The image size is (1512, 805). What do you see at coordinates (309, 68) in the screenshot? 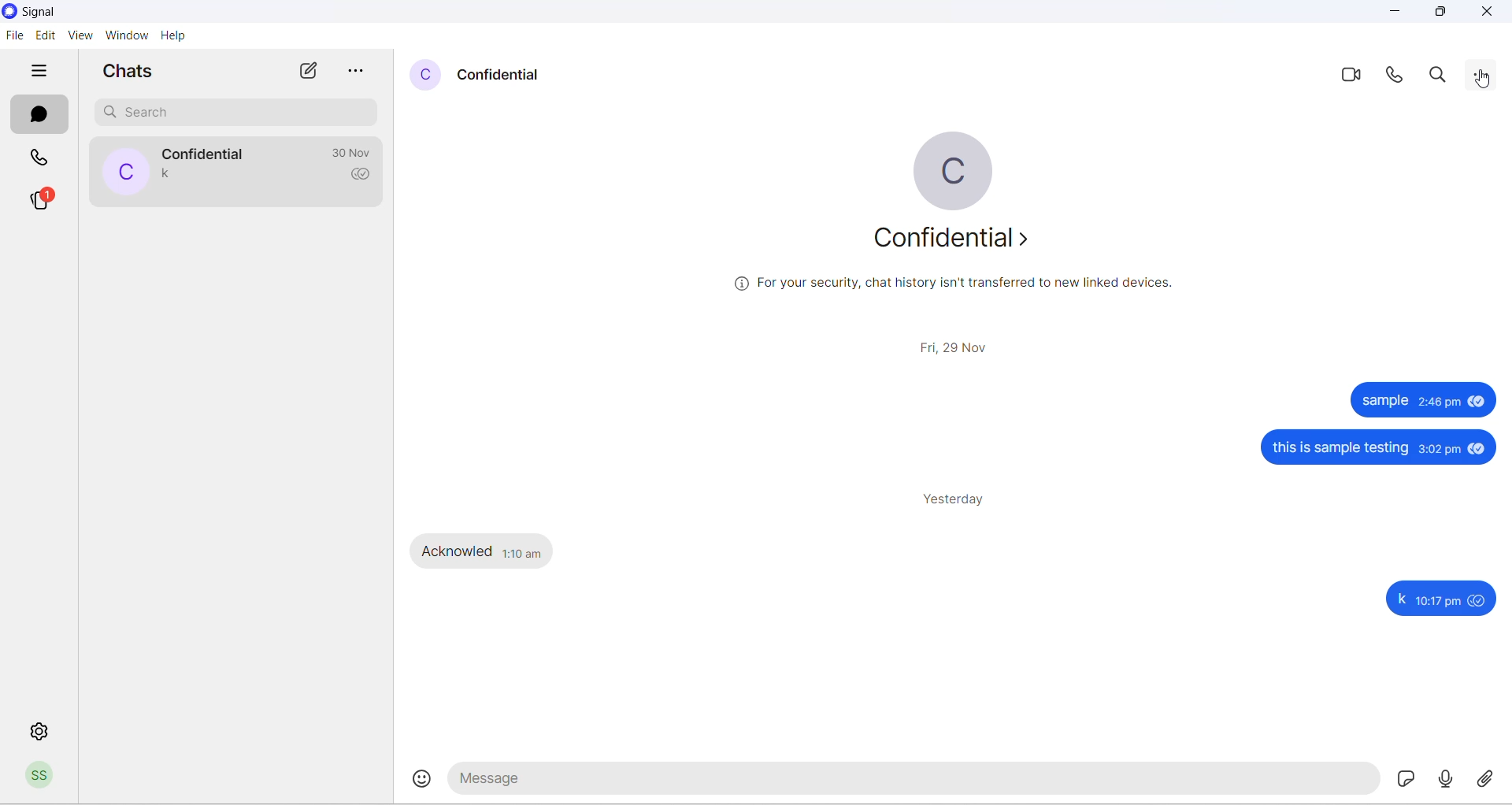
I see `new chats` at bounding box center [309, 68].